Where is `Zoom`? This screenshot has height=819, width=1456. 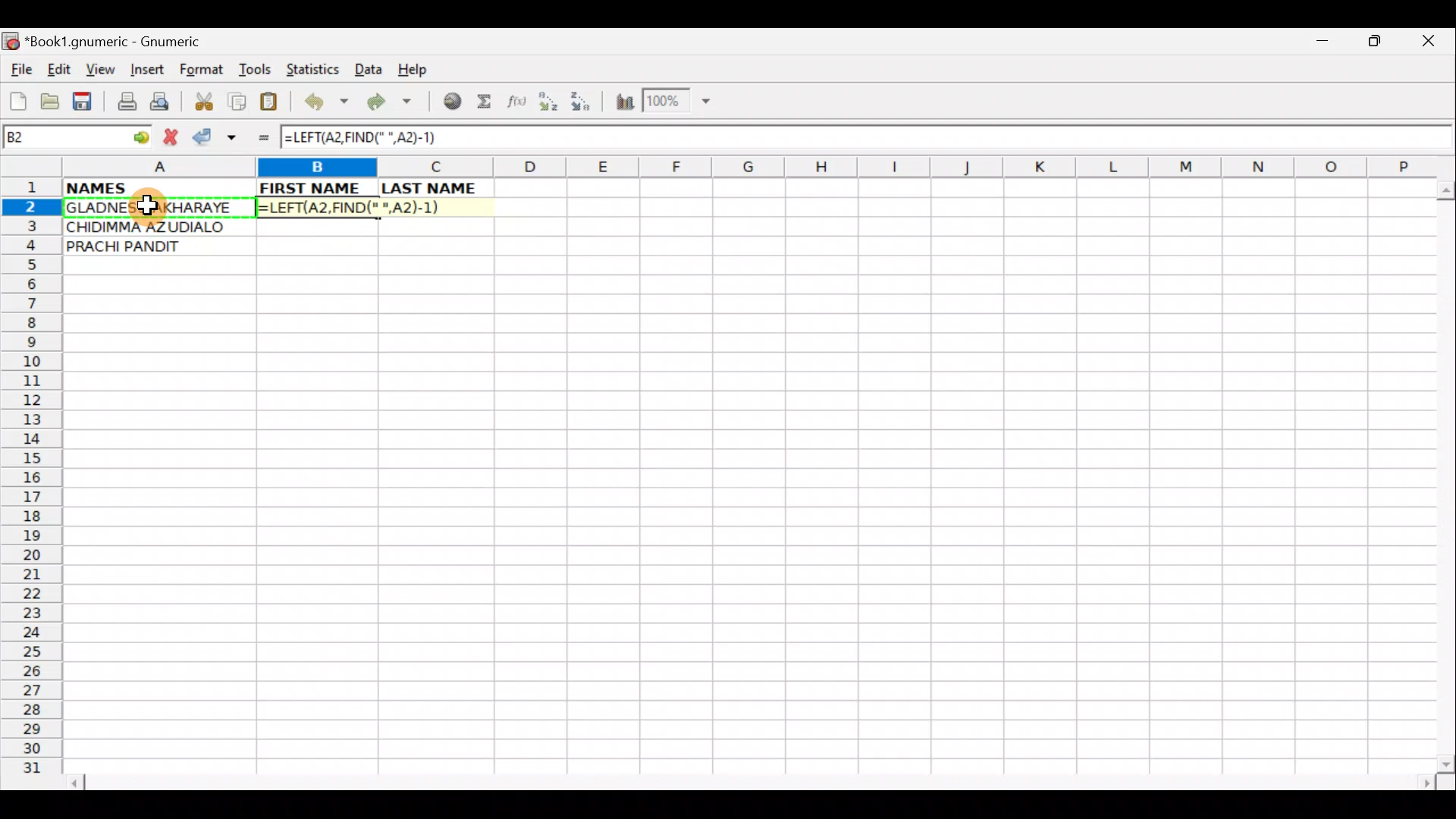 Zoom is located at coordinates (679, 103).